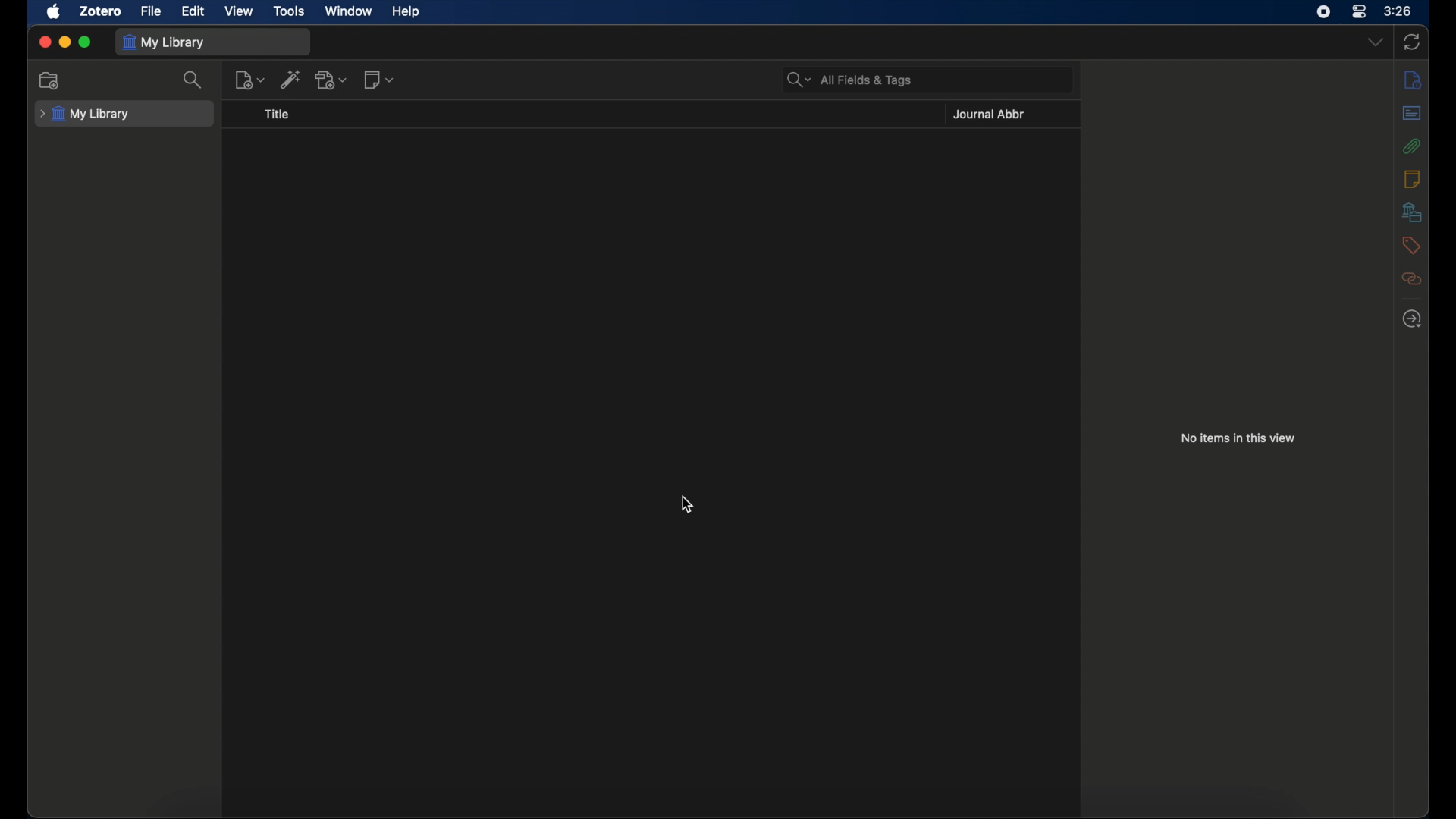  What do you see at coordinates (1411, 80) in the screenshot?
I see `info` at bounding box center [1411, 80].